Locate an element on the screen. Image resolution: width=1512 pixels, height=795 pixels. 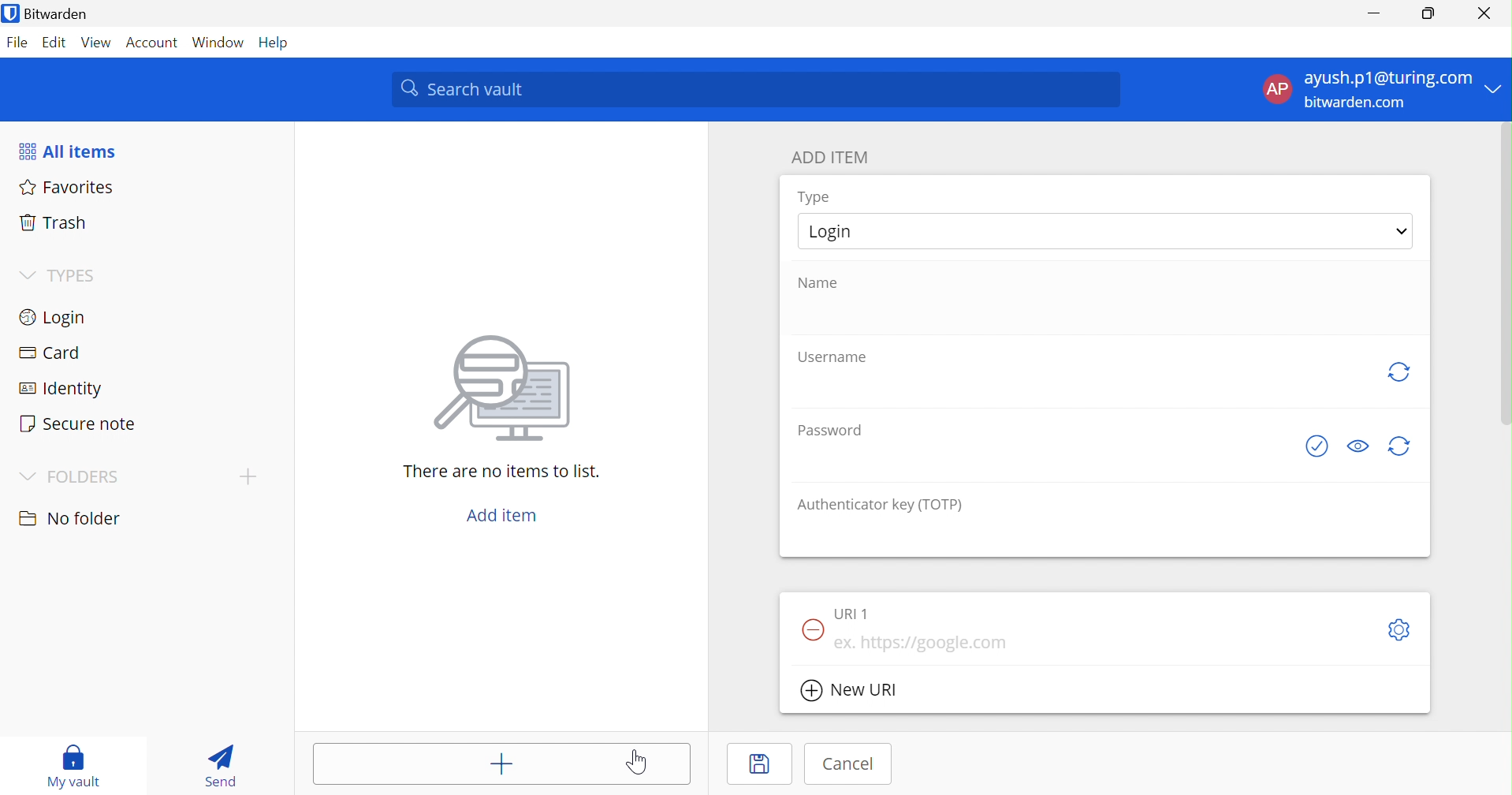
Send is located at coordinates (219, 766).